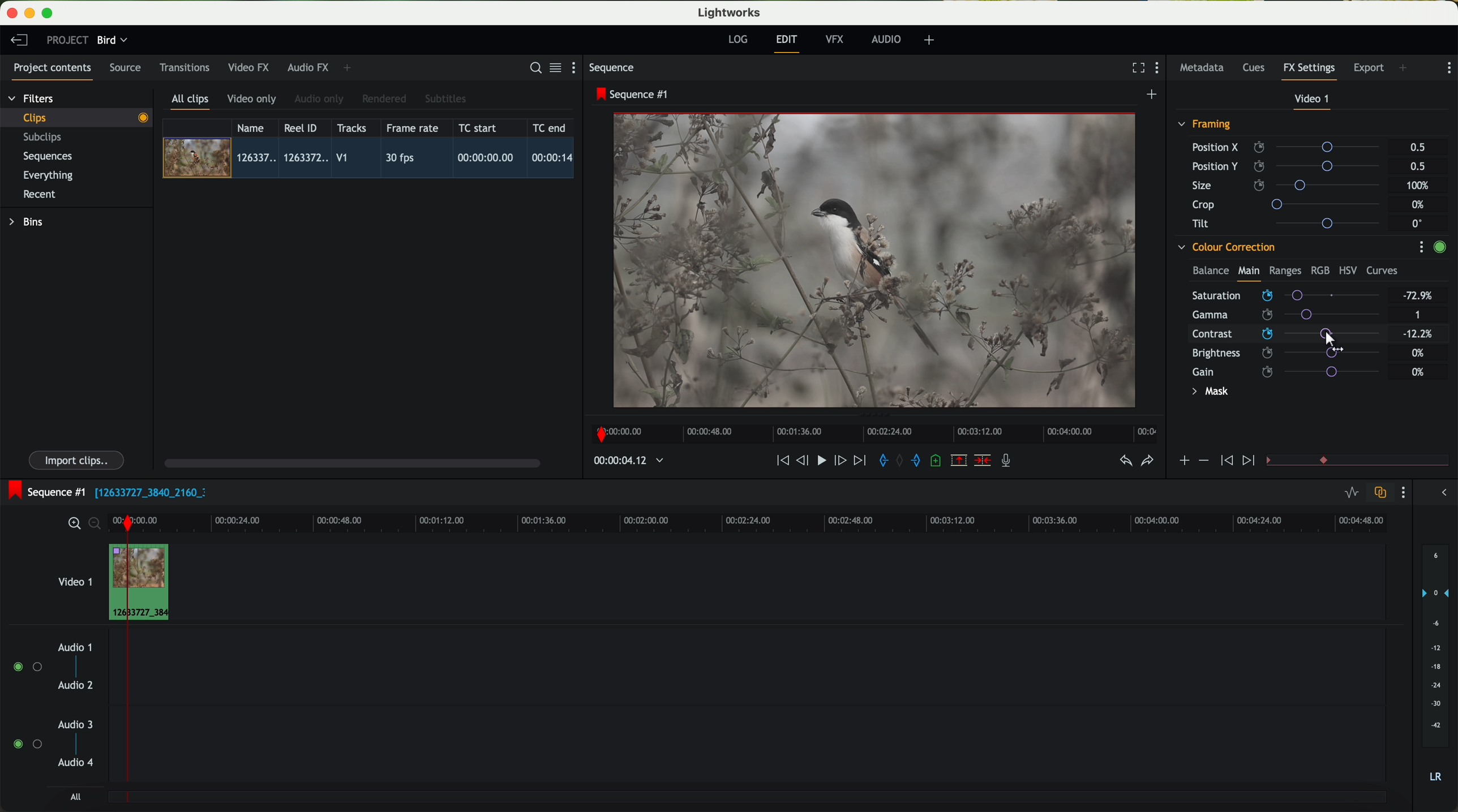  Describe the element at coordinates (877, 260) in the screenshot. I see `applied effect` at that location.